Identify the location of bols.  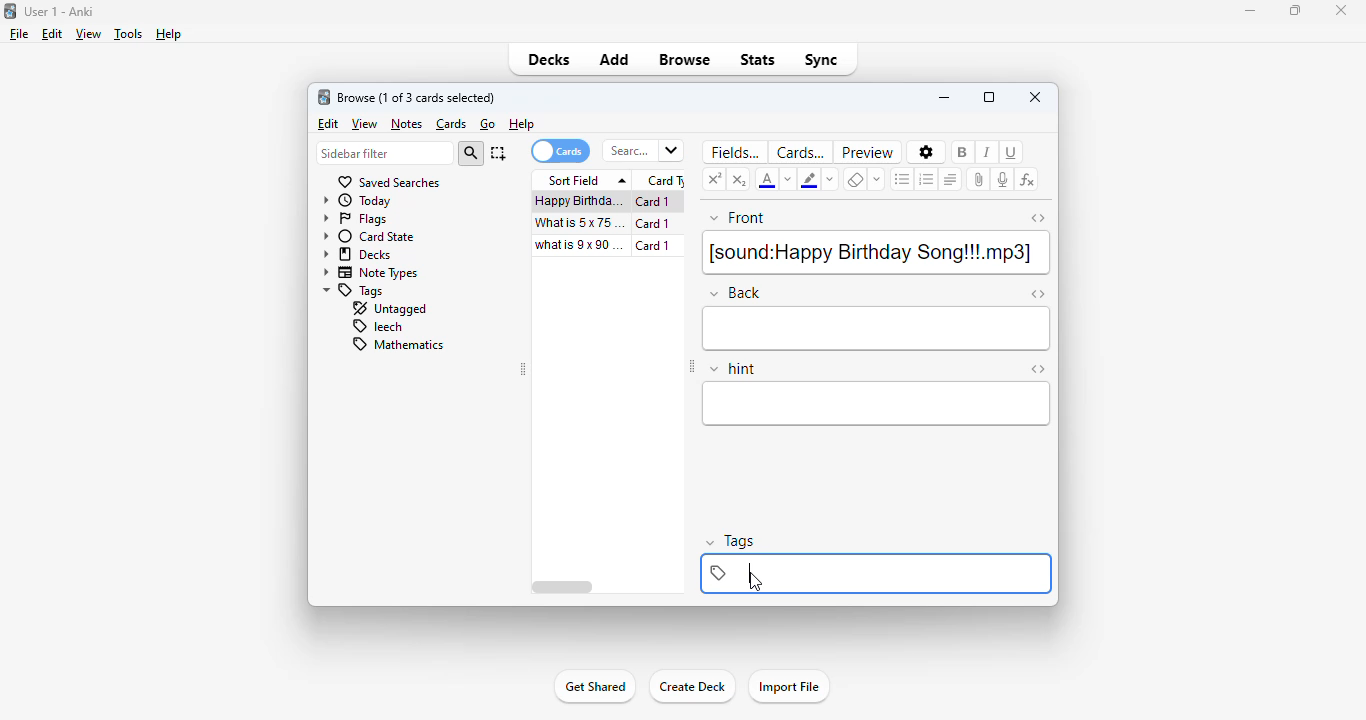
(964, 151).